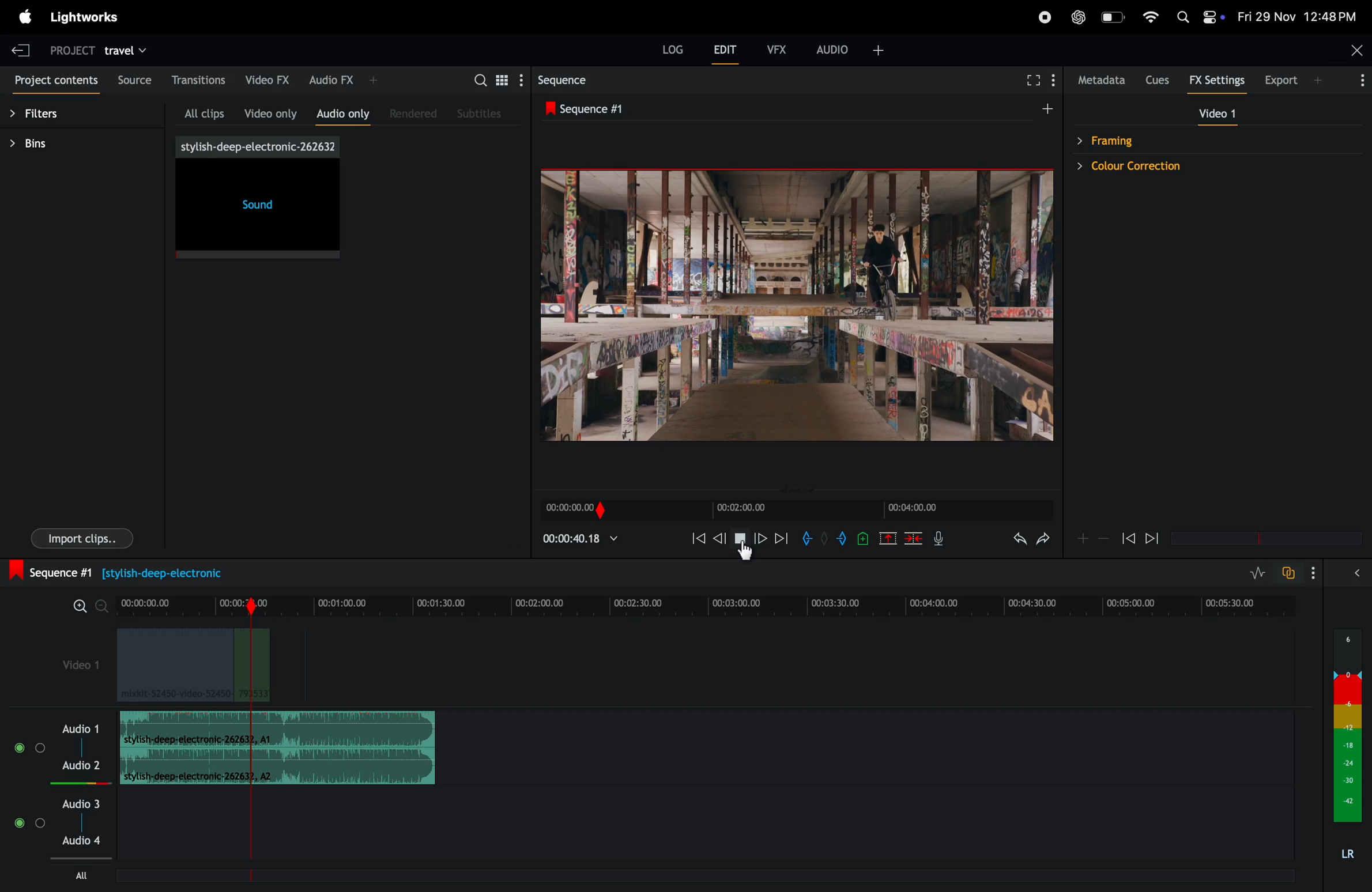 The height and width of the screenshot is (892, 1372). I want to click on show menu, so click(1058, 79).